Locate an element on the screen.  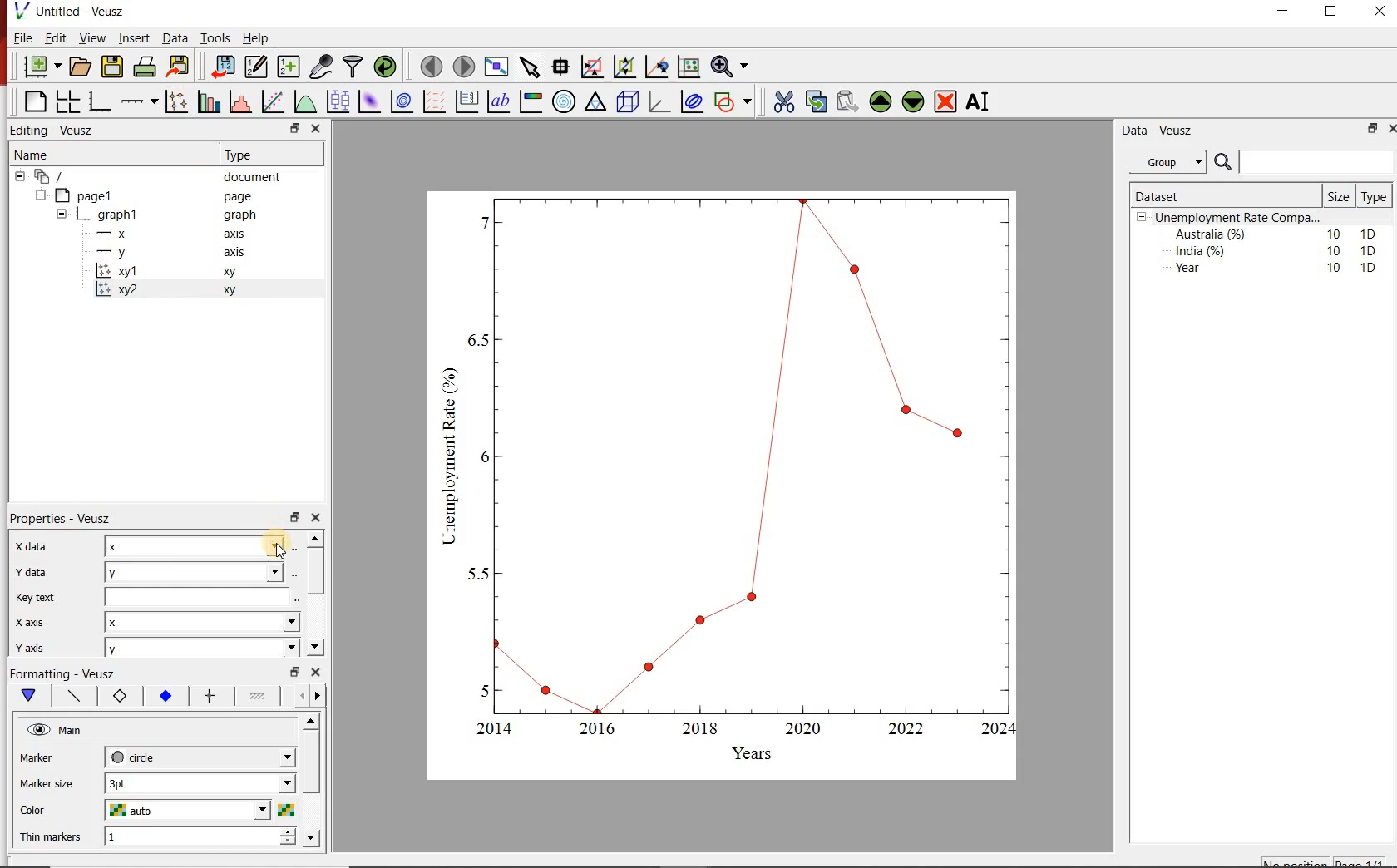
Year 10 1D is located at coordinates (1281, 269).